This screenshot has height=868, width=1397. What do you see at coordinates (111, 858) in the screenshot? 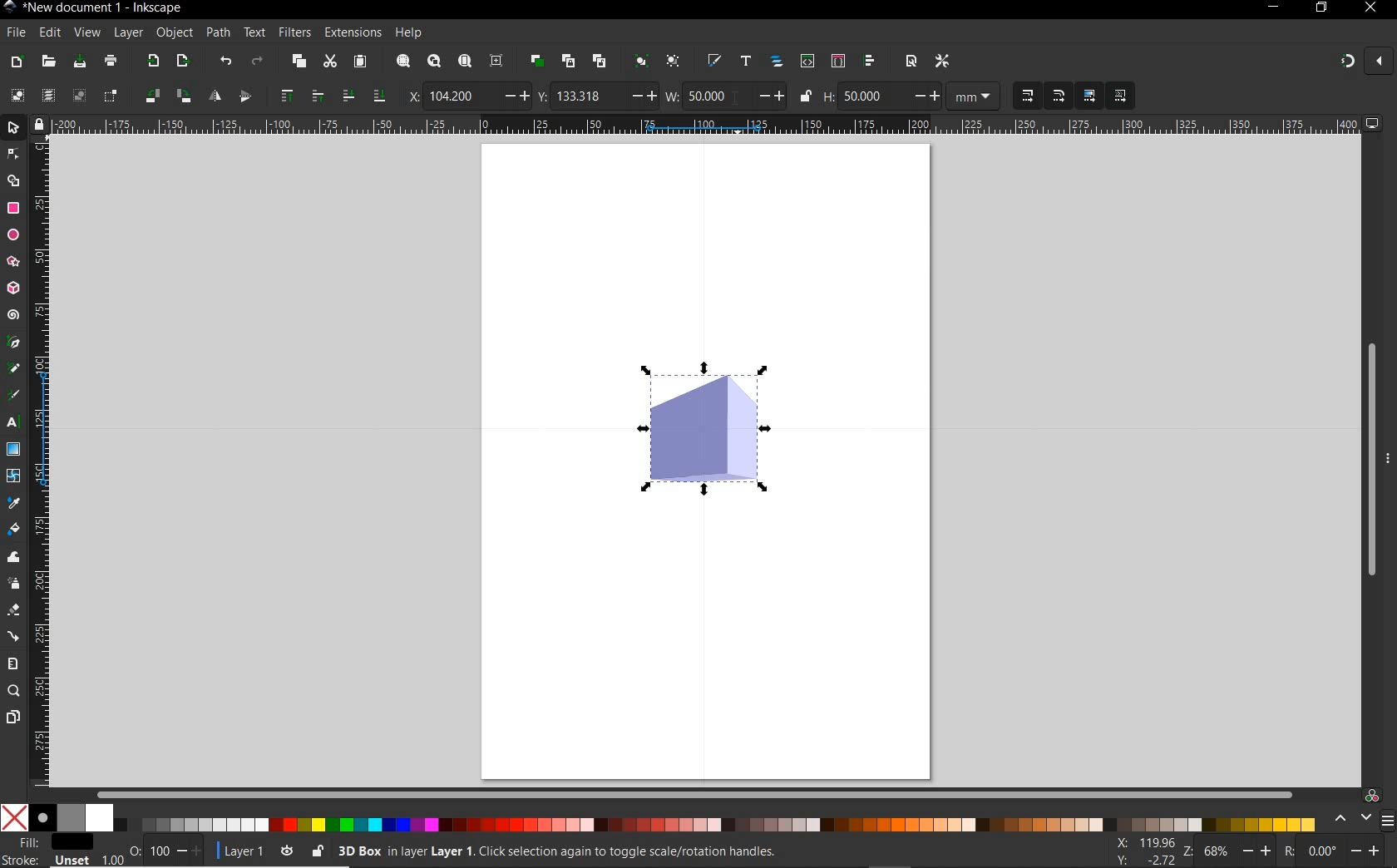
I see `1.00` at bounding box center [111, 858].